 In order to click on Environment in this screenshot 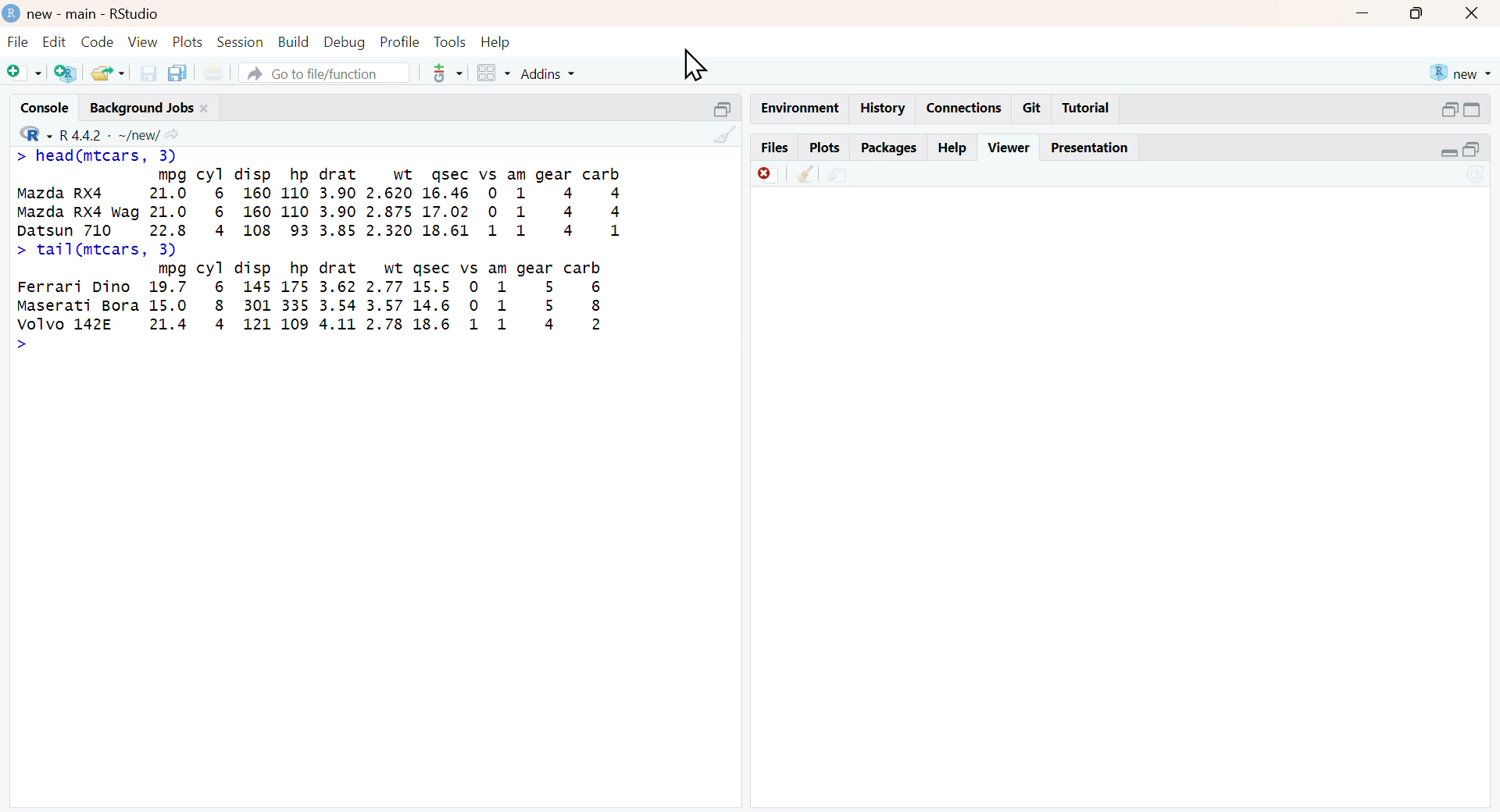, I will do `click(798, 107)`.